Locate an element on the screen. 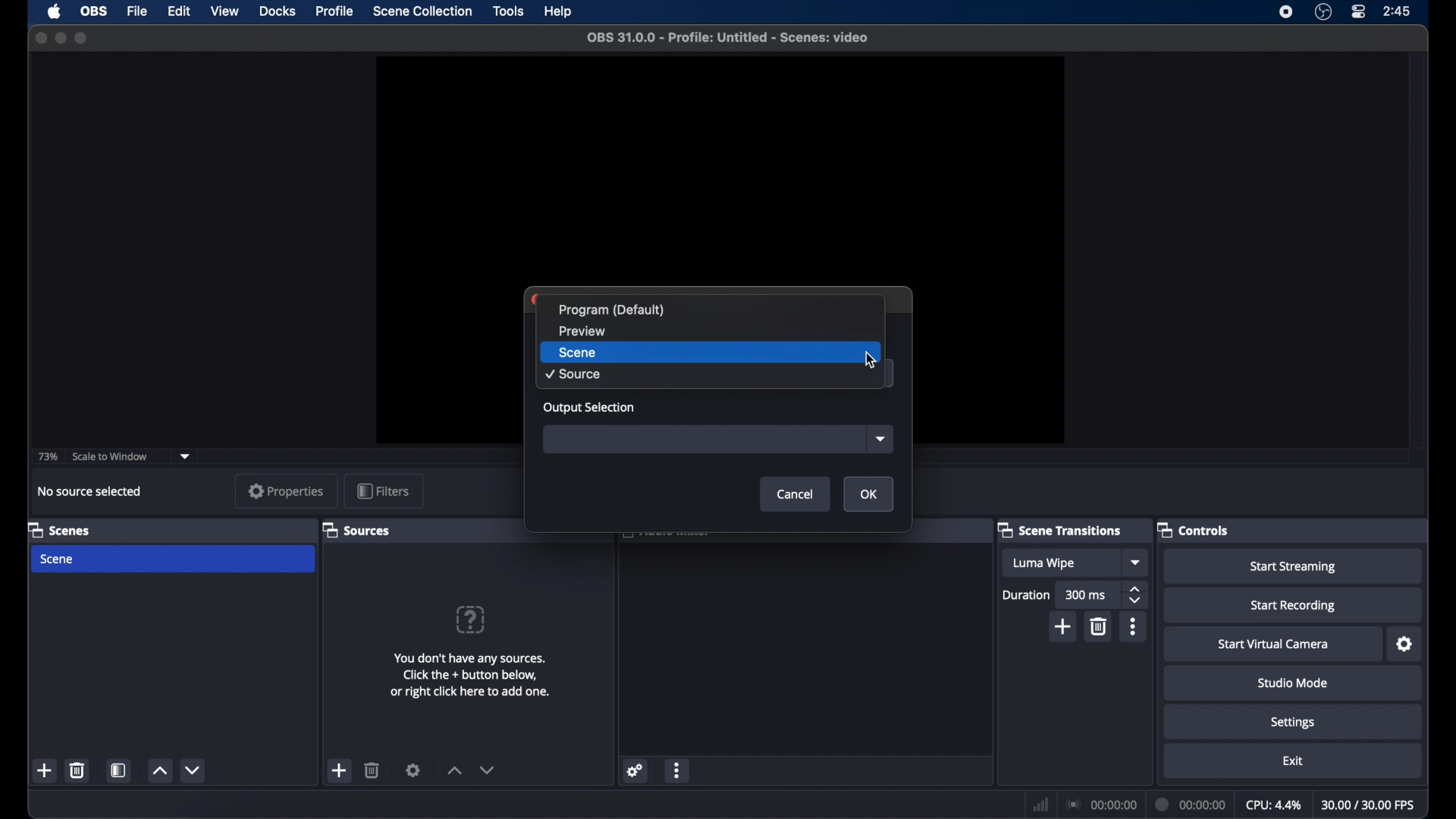 This screenshot has width=1456, height=819. profile is located at coordinates (334, 12).